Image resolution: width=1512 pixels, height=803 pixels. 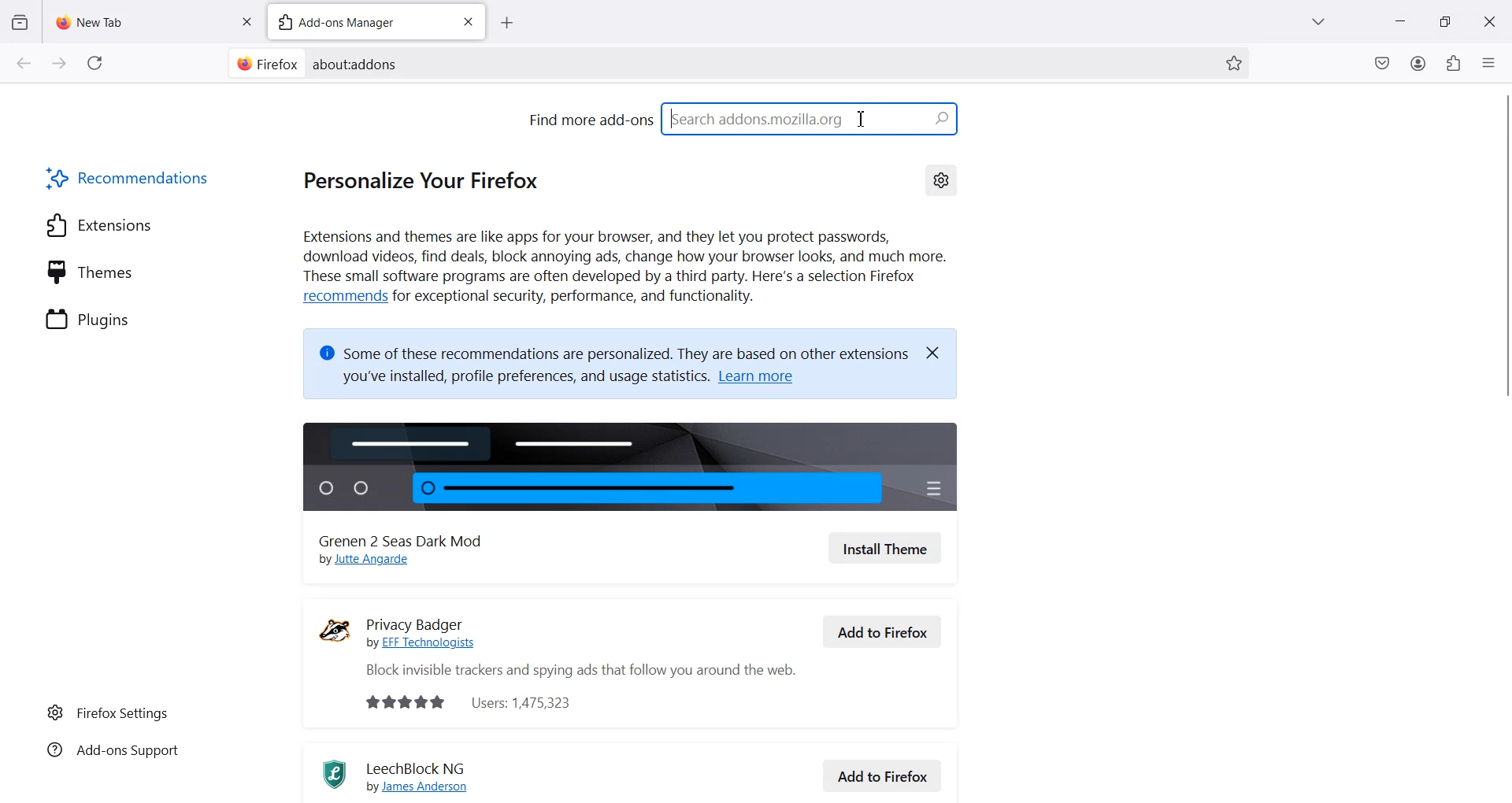 I want to click on Learn more, so click(x=765, y=379).